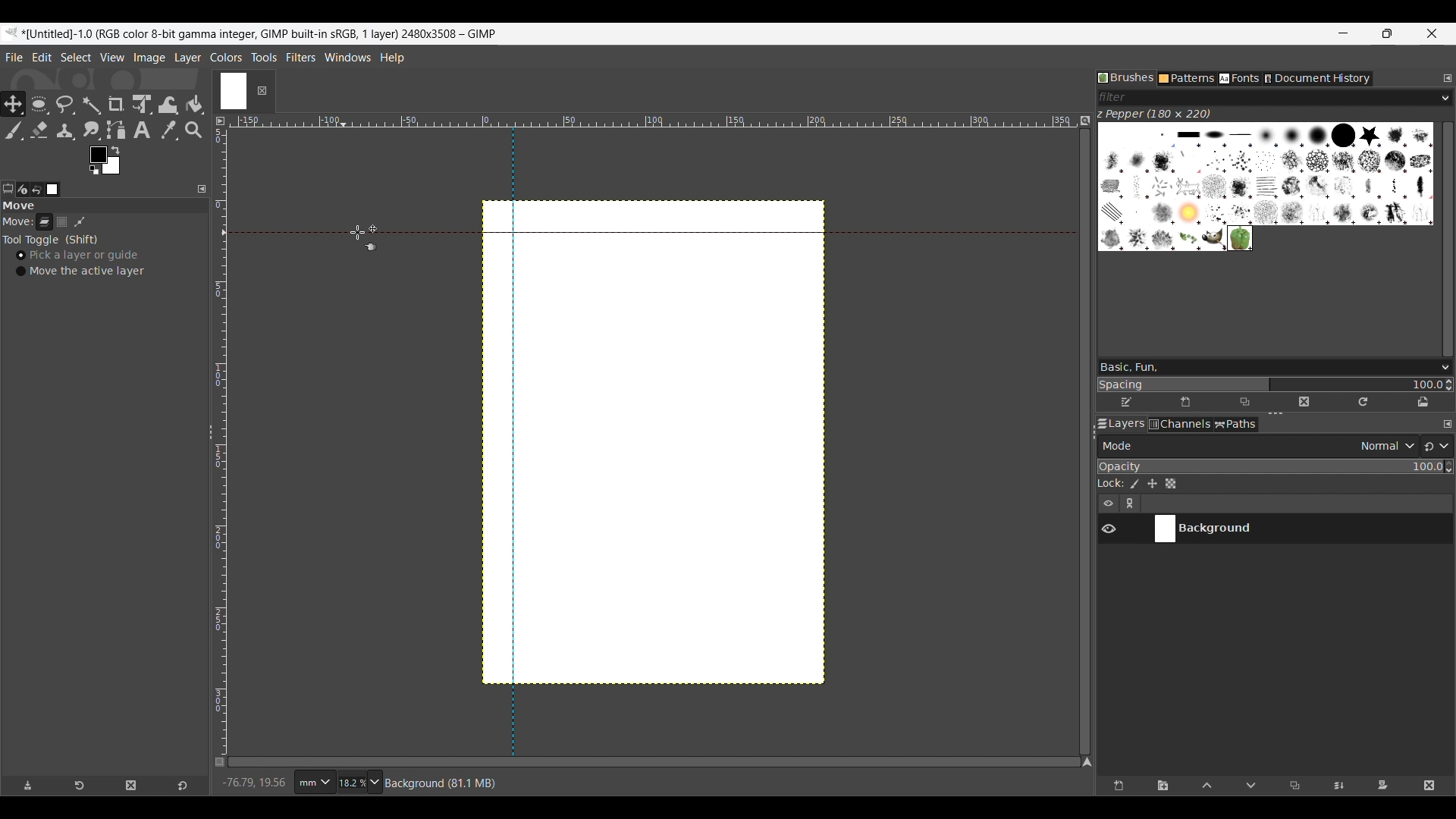 This screenshot has height=819, width=1456. What do you see at coordinates (1447, 424) in the screenshot?
I see `Configure this tab` at bounding box center [1447, 424].